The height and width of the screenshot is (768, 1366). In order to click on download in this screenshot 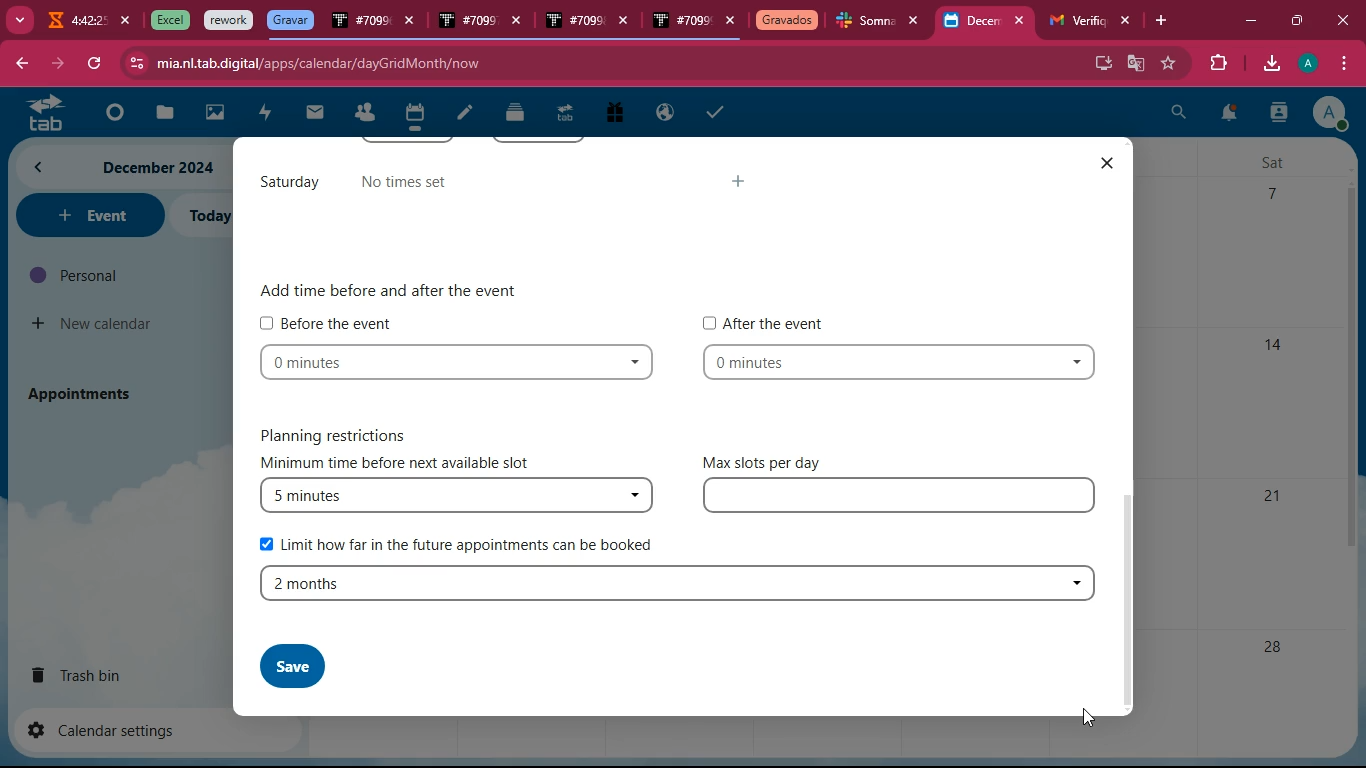, I will do `click(1270, 65)`.